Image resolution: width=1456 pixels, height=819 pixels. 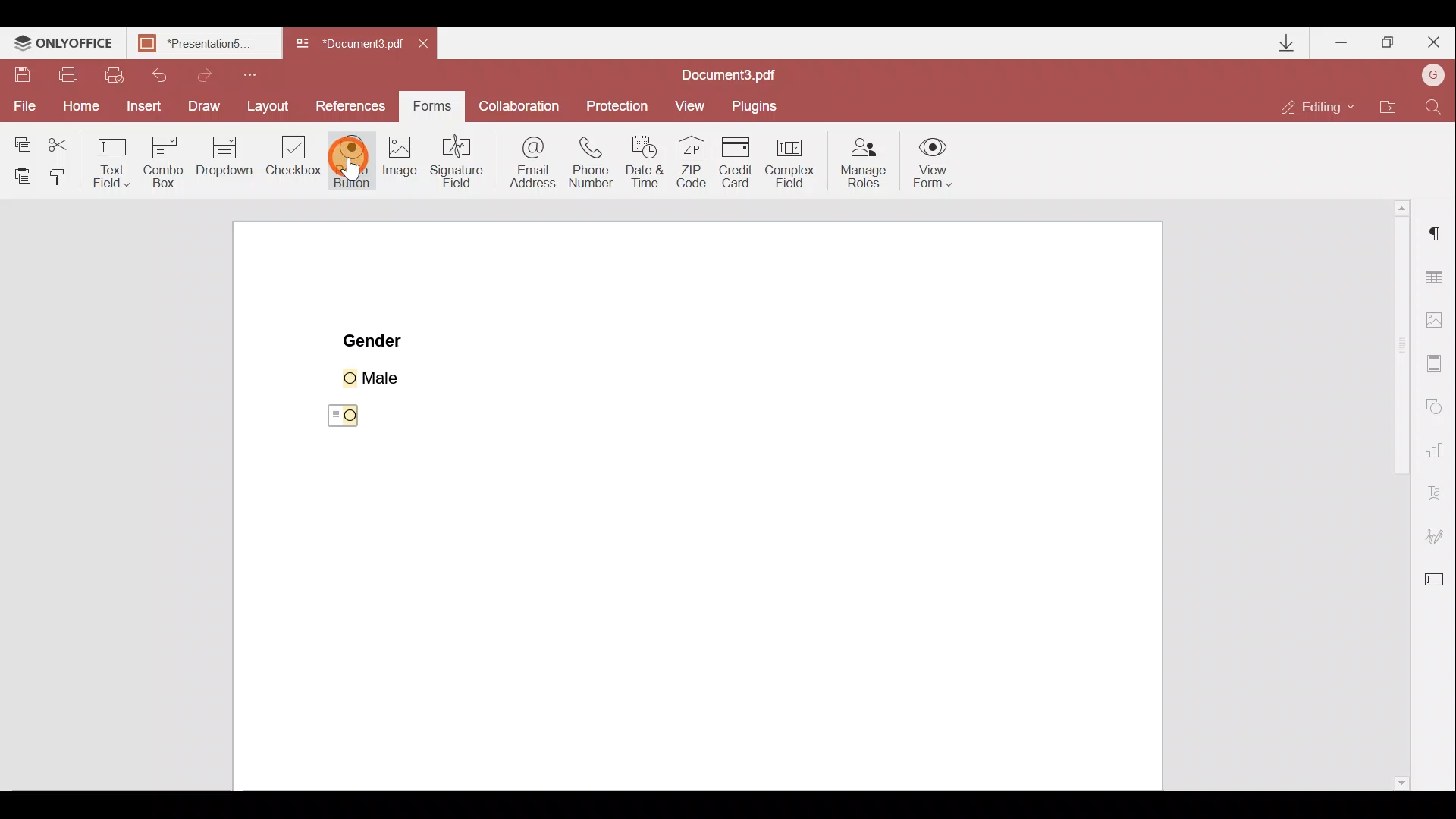 I want to click on Combo box, so click(x=160, y=160).